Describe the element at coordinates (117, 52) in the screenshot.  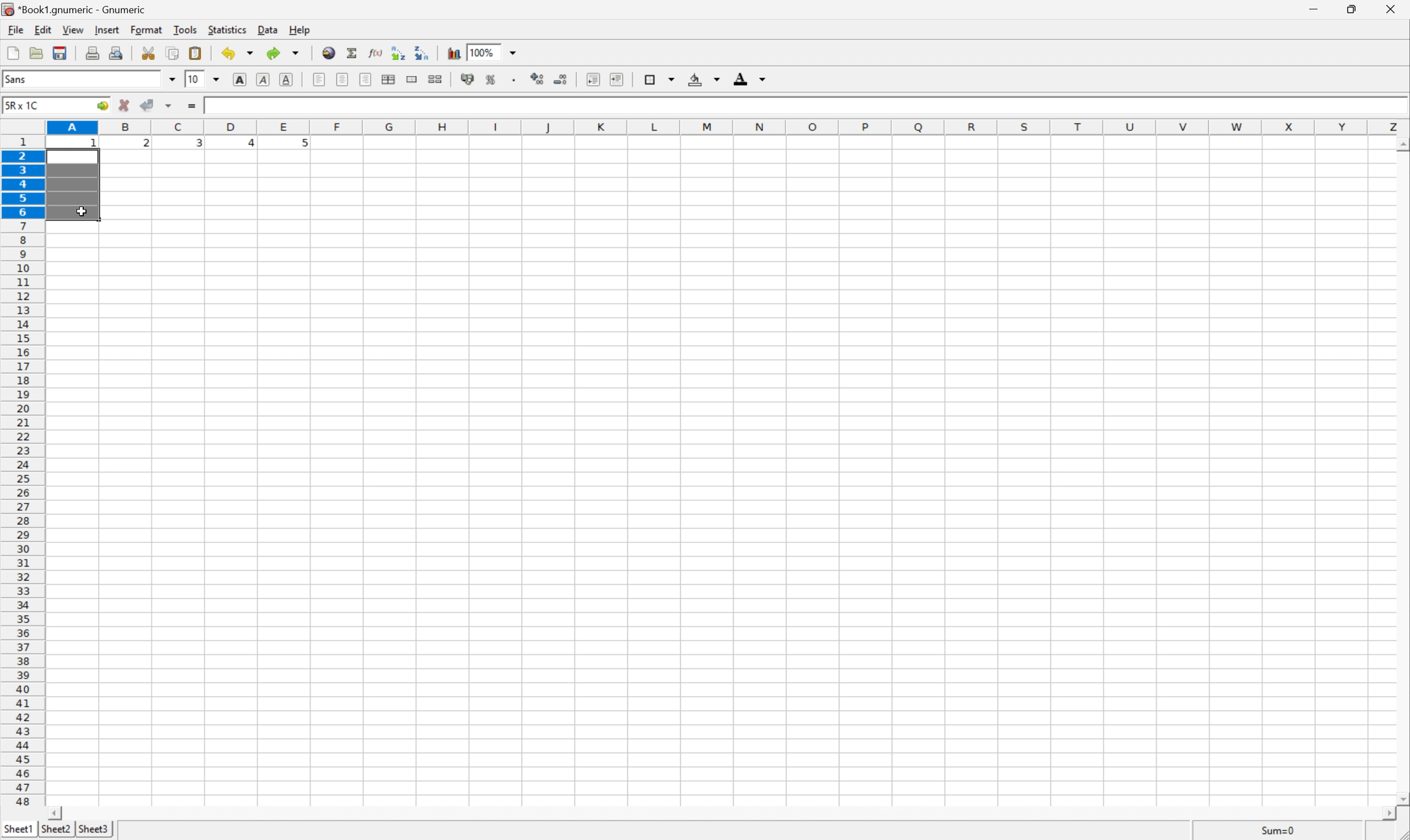
I see `print preview` at that location.